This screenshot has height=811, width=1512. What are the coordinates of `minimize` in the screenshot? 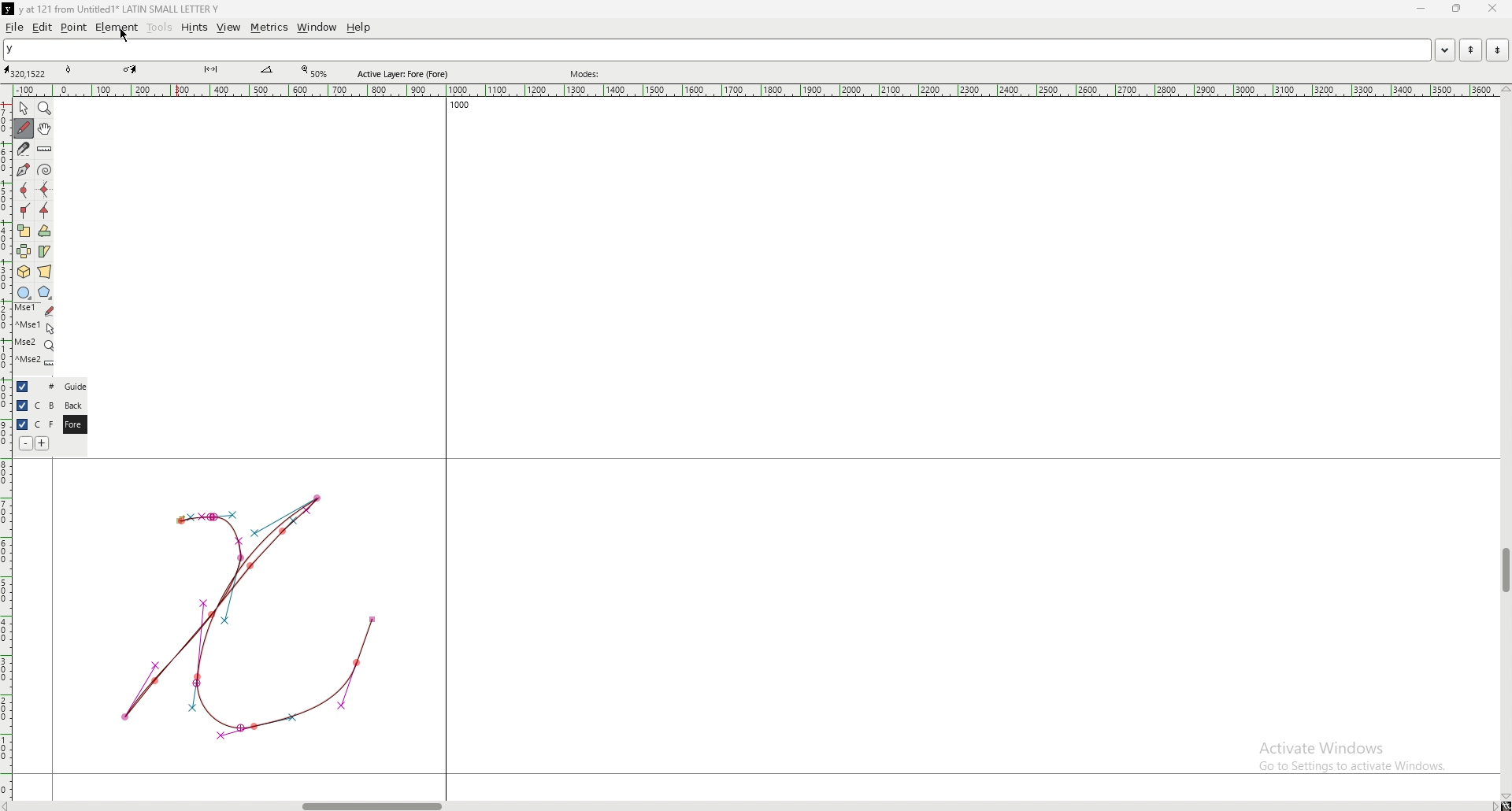 It's located at (1423, 9).